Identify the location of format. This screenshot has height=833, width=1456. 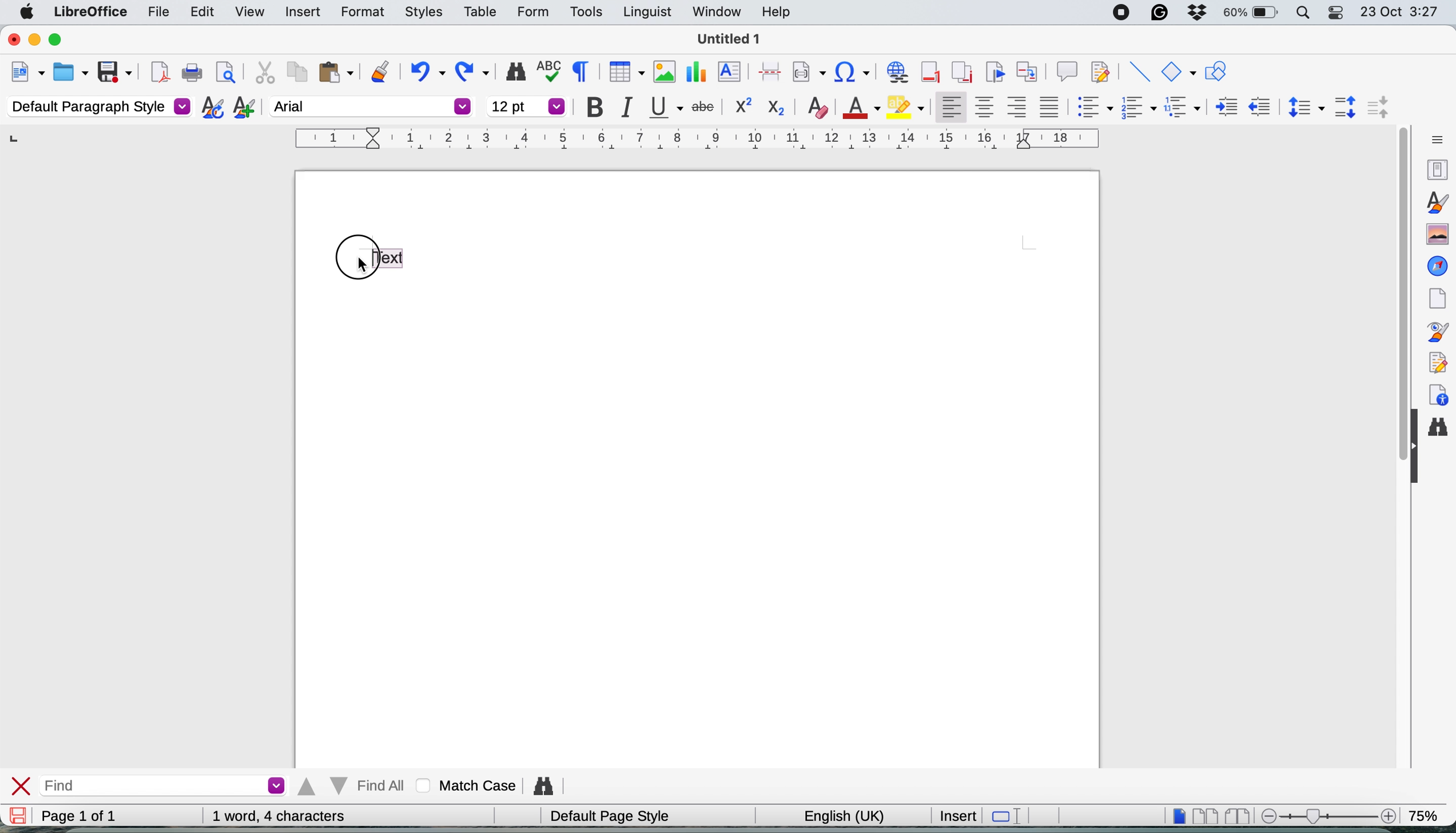
(356, 13).